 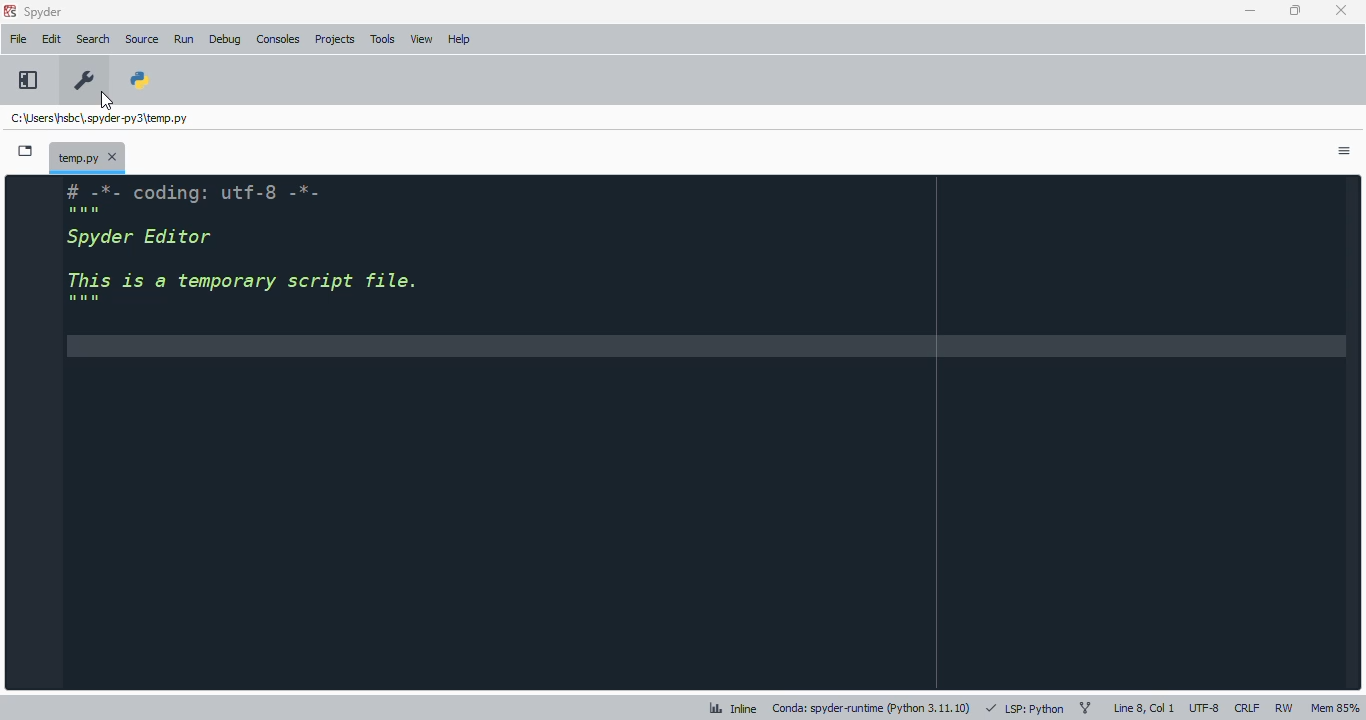 What do you see at coordinates (93, 39) in the screenshot?
I see `search` at bounding box center [93, 39].